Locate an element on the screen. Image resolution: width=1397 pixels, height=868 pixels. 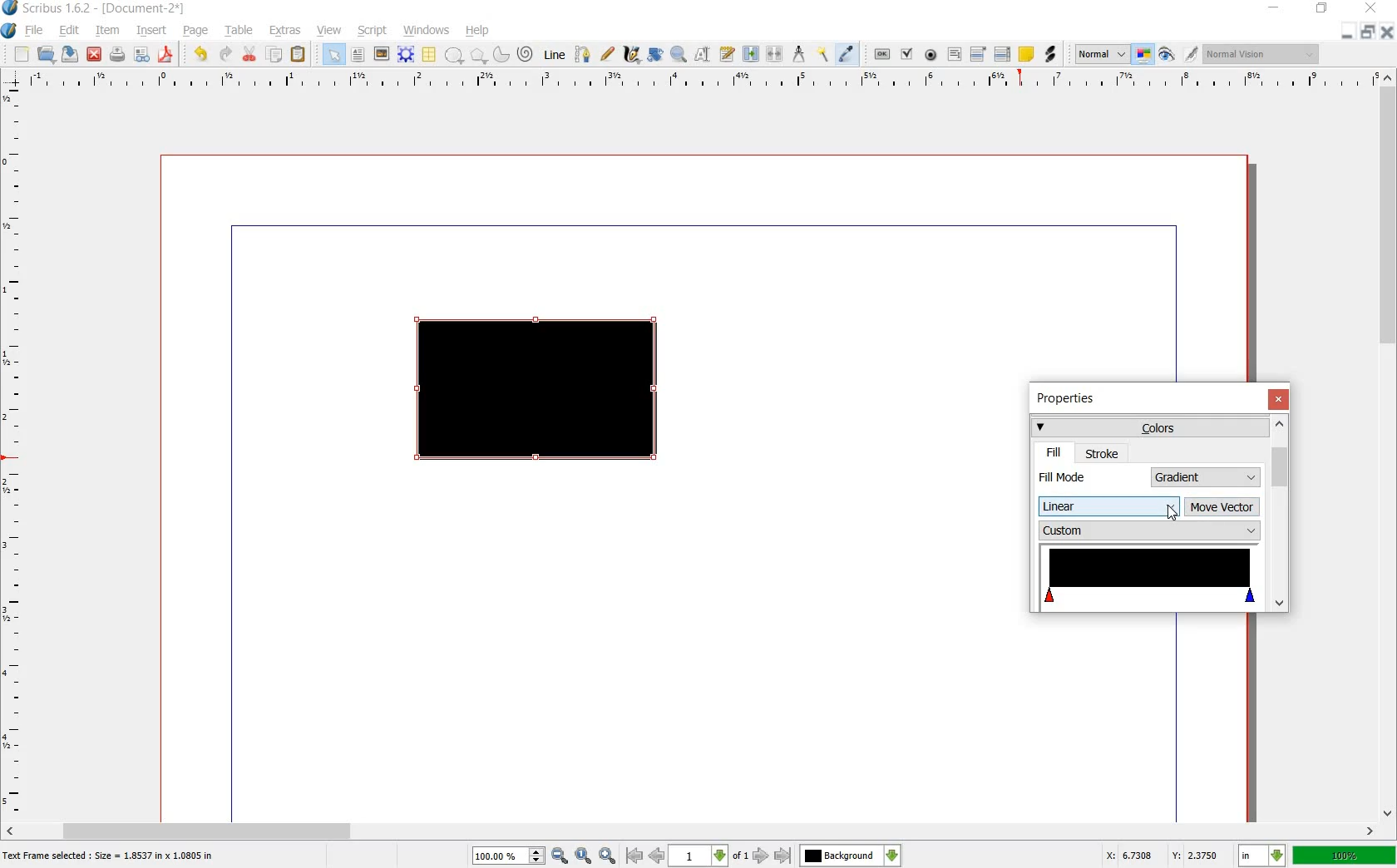
edit contents of frame is located at coordinates (703, 55).